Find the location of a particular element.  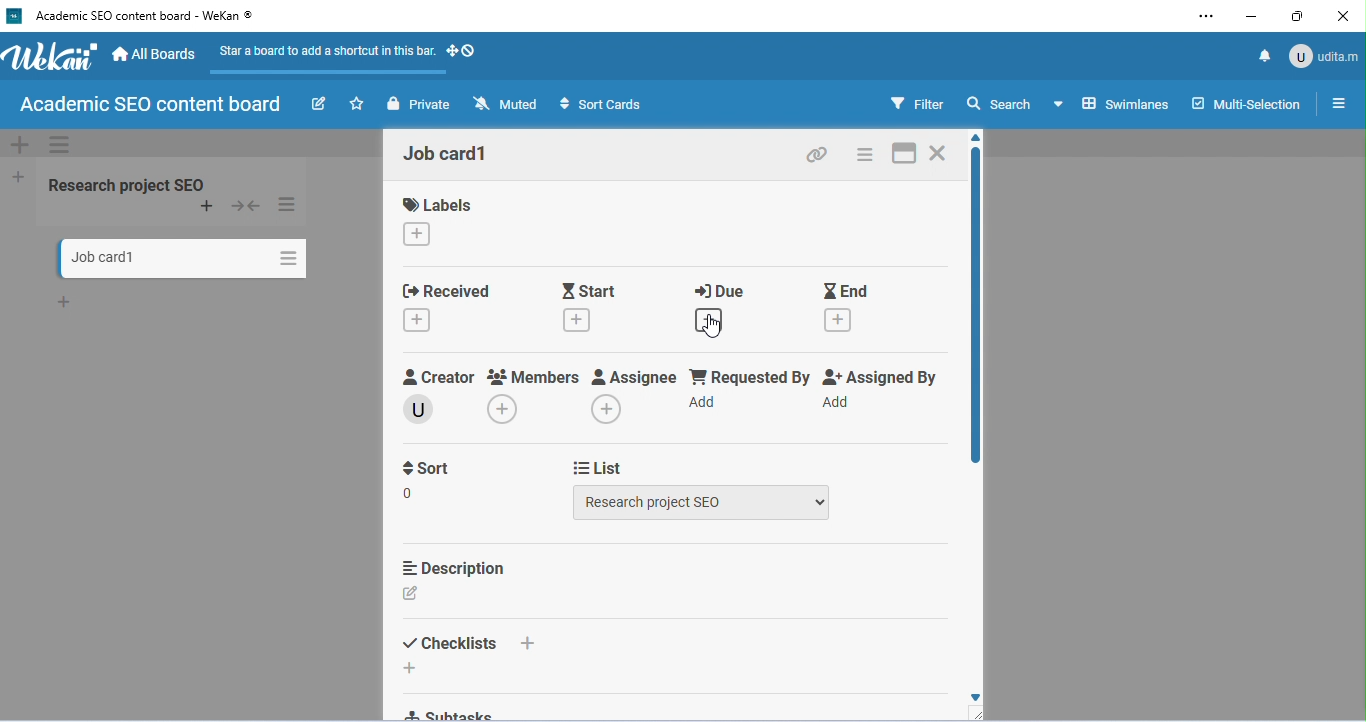

add requester is located at coordinates (706, 403).